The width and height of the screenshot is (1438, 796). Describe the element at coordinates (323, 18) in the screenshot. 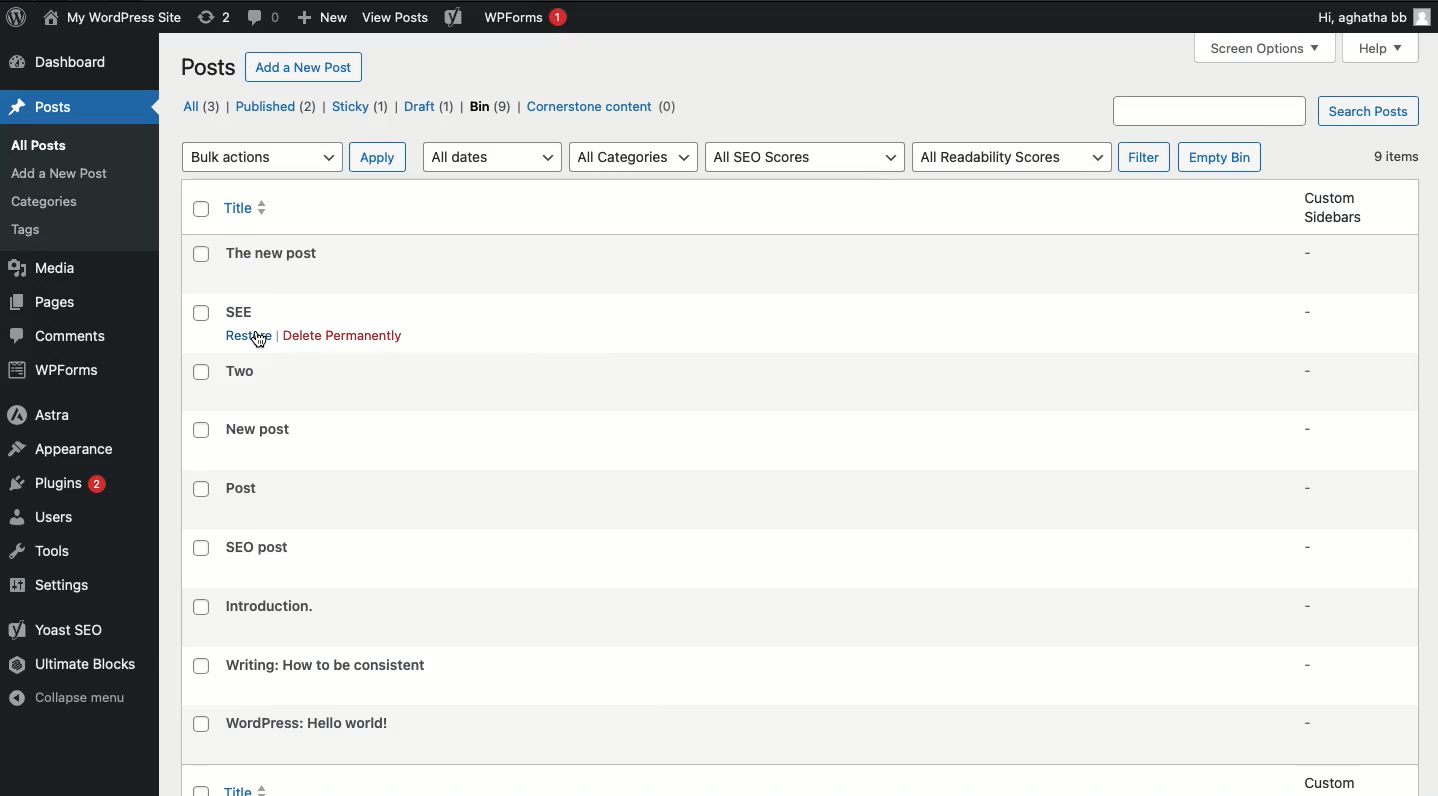

I see `New` at that location.